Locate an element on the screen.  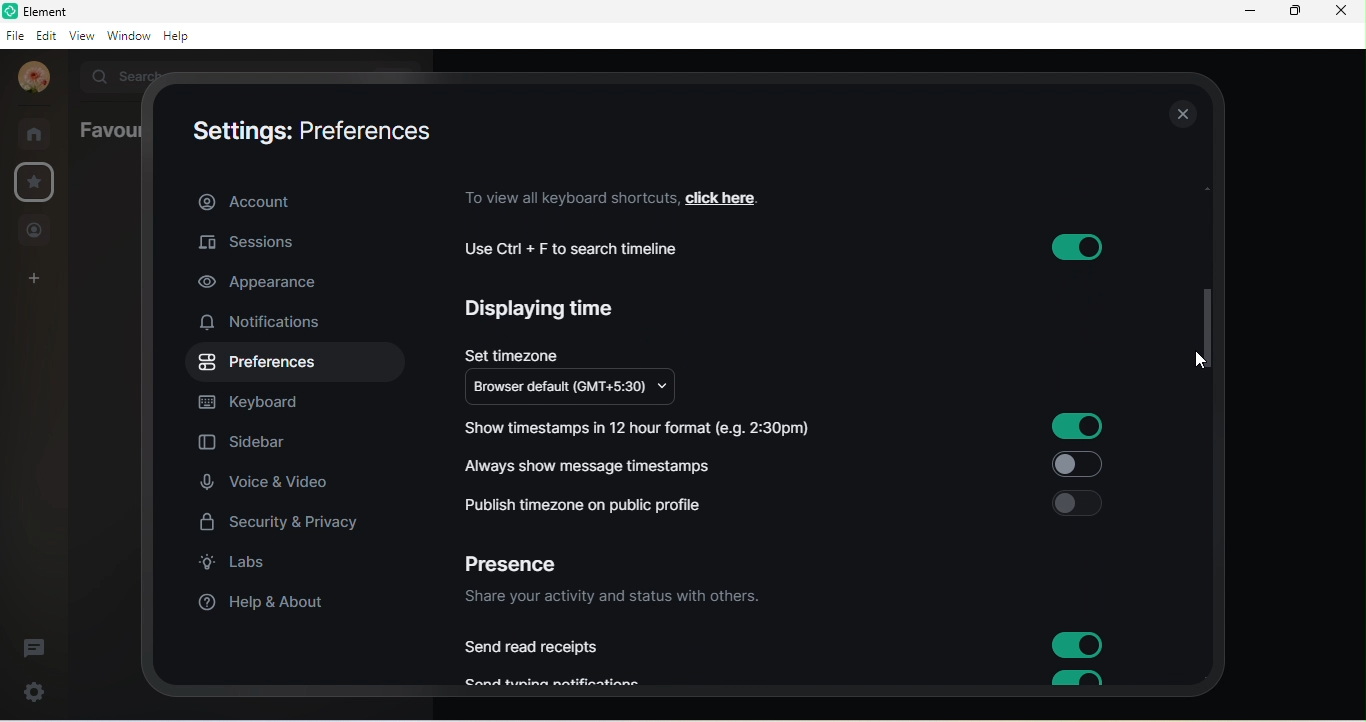
minimize is located at coordinates (1245, 14).